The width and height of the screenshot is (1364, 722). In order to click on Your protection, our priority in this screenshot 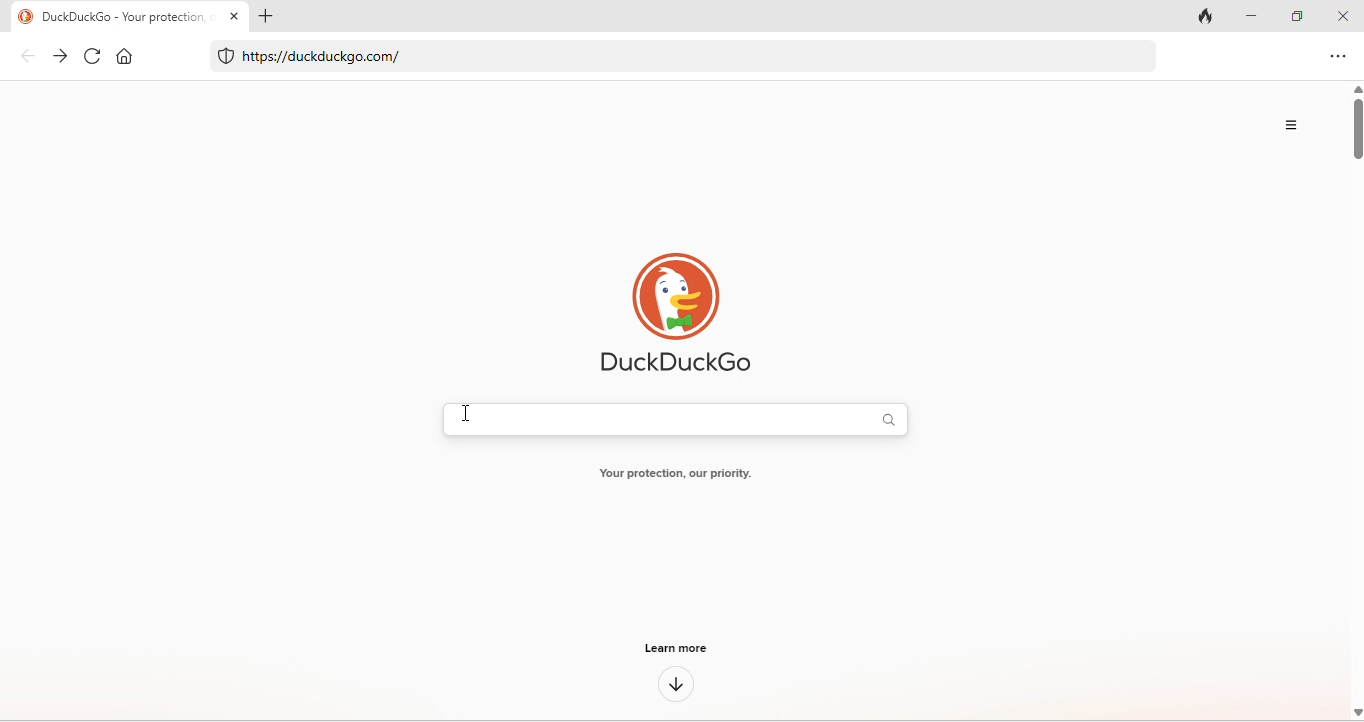, I will do `click(684, 476)`.